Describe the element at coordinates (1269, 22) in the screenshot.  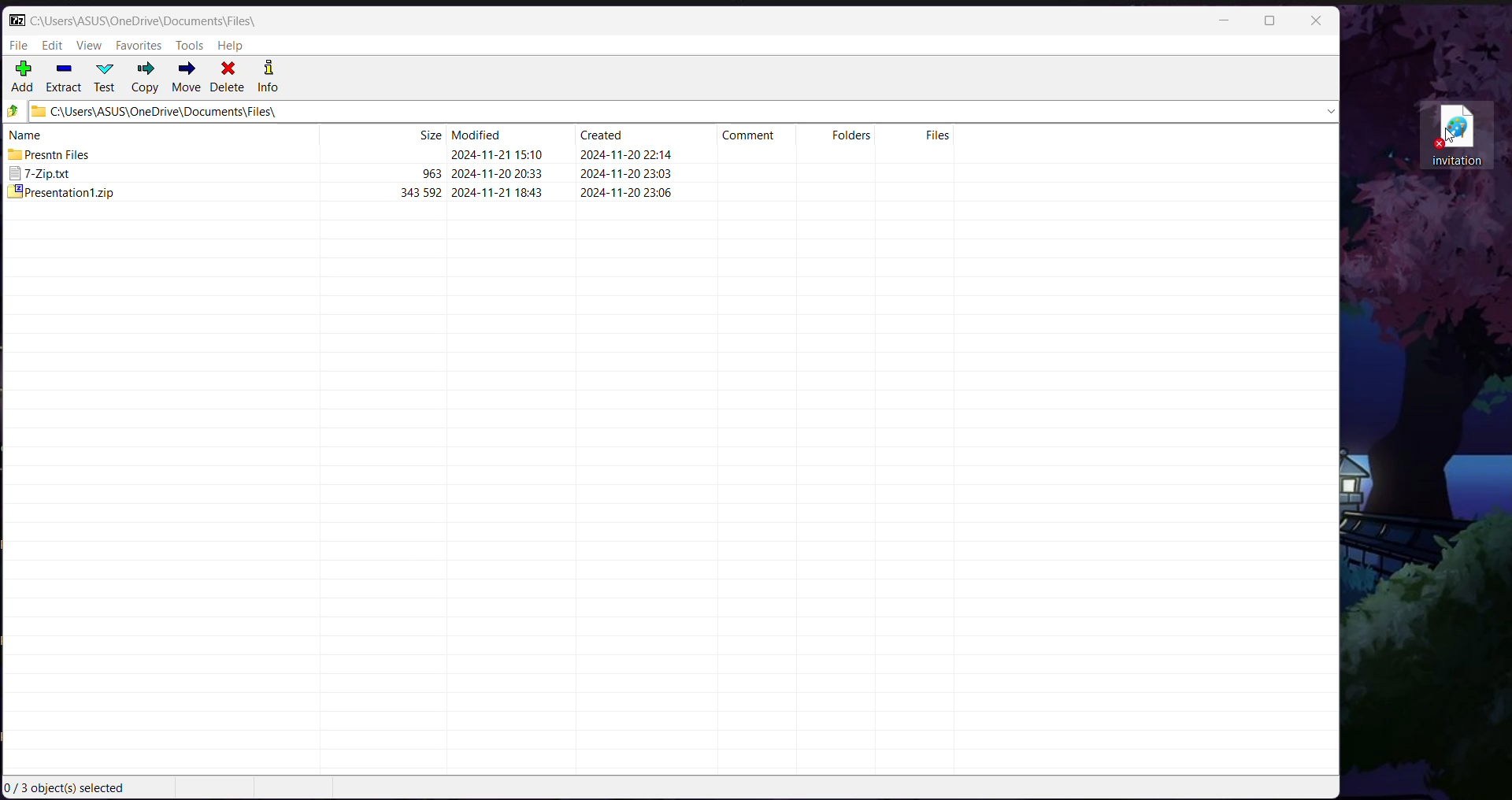
I see `Maximize` at that location.